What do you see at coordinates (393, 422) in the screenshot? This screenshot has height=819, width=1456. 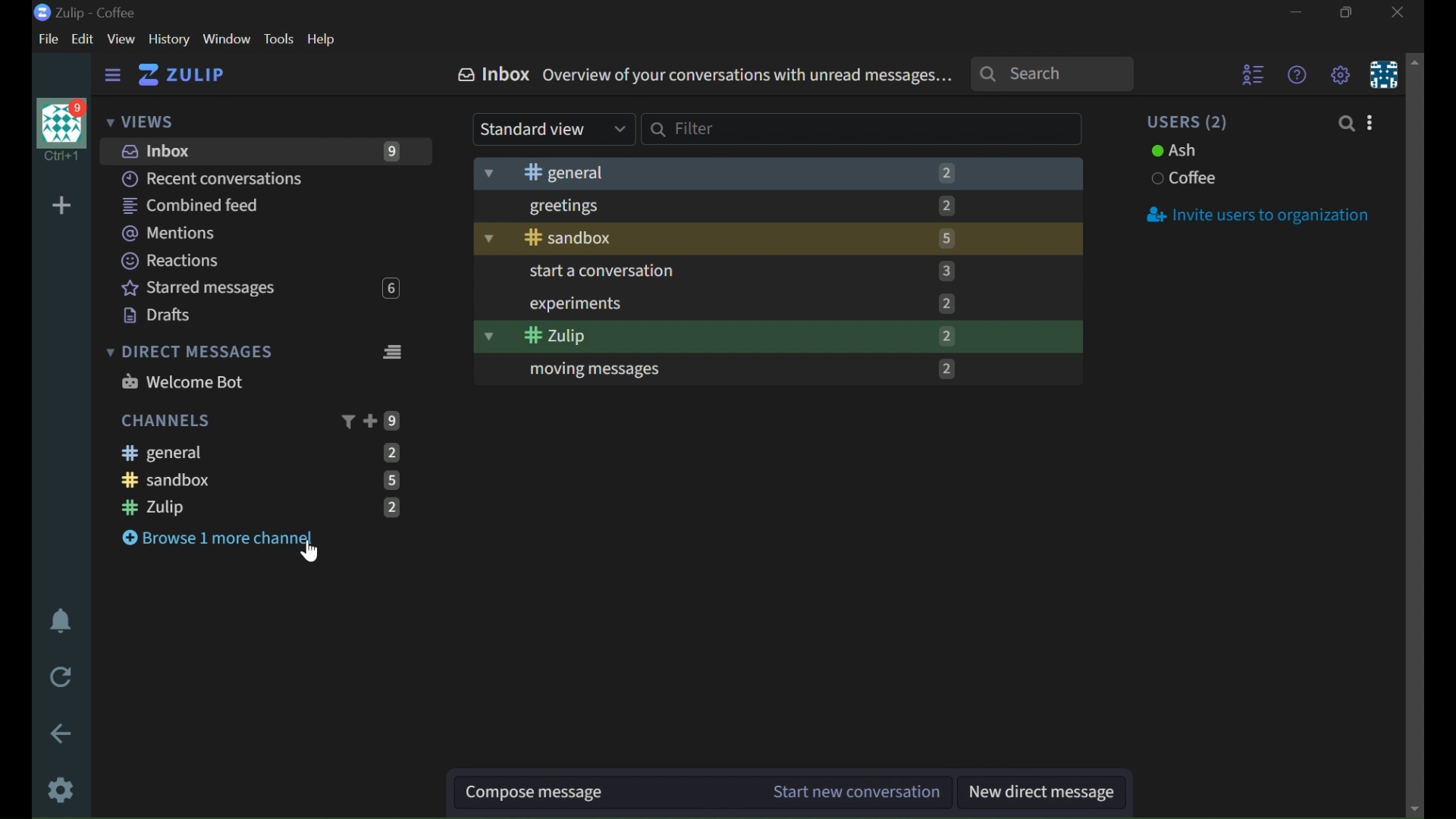 I see `9` at bounding box center [393, 422].